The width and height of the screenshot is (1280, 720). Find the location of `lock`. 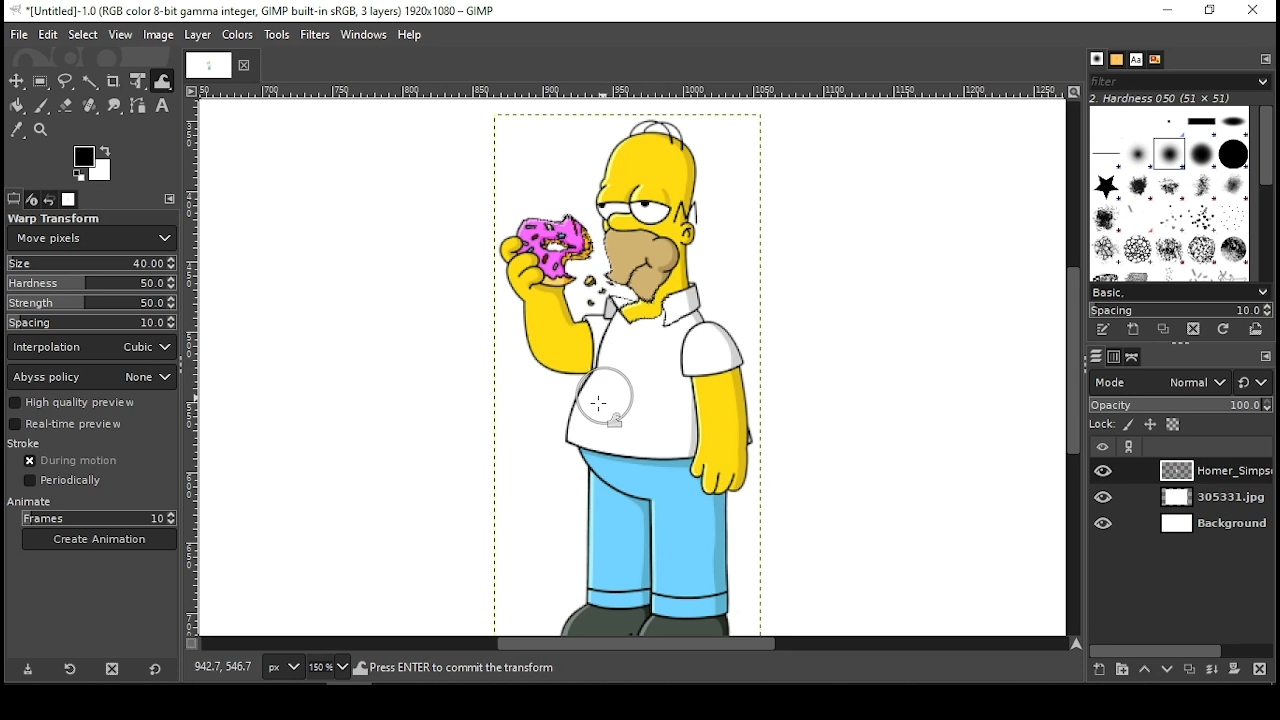

lock is located at coordinates (1102, 425).